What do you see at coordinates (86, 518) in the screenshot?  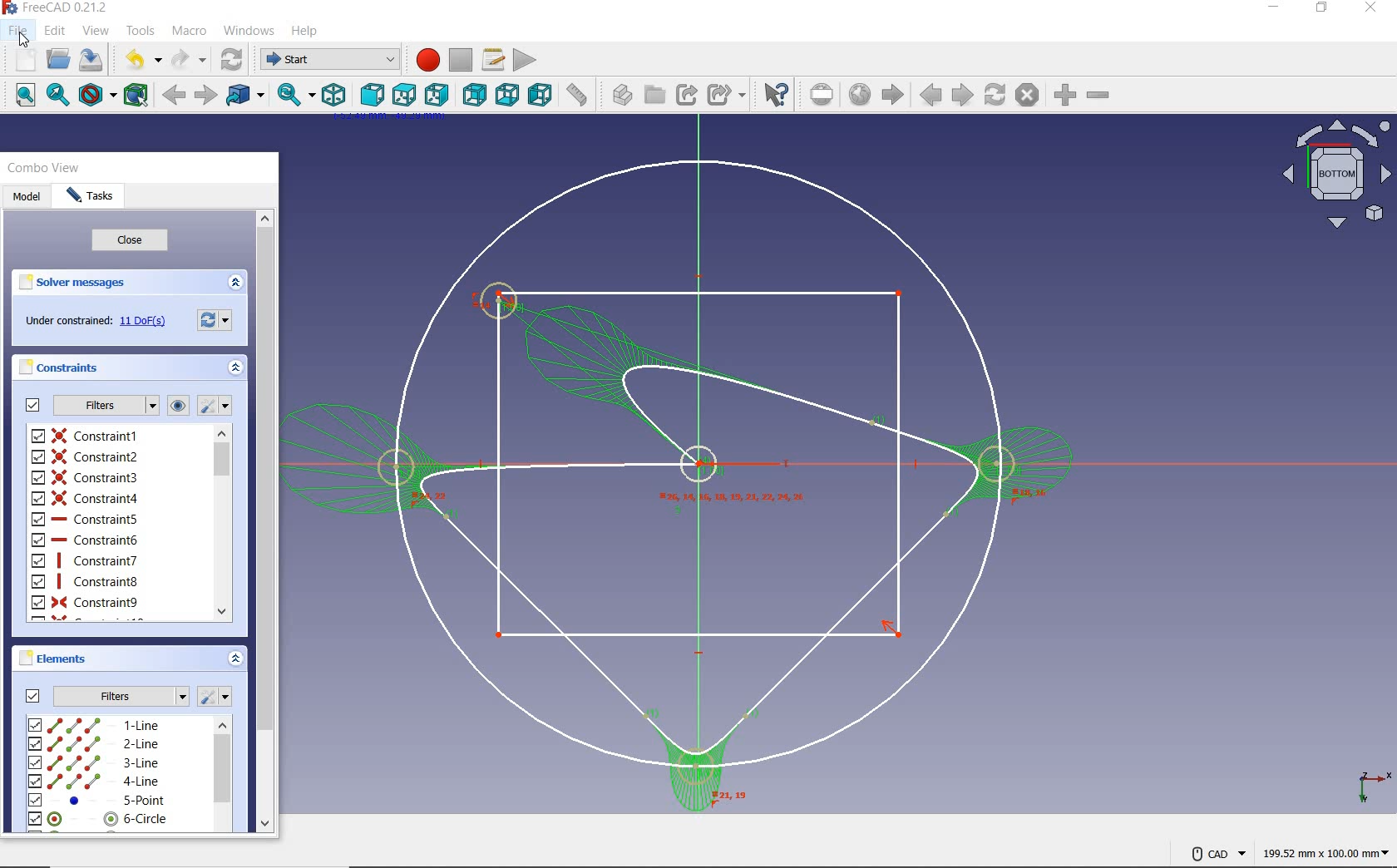 I see `constraint5` at bounding box center [86, 518].